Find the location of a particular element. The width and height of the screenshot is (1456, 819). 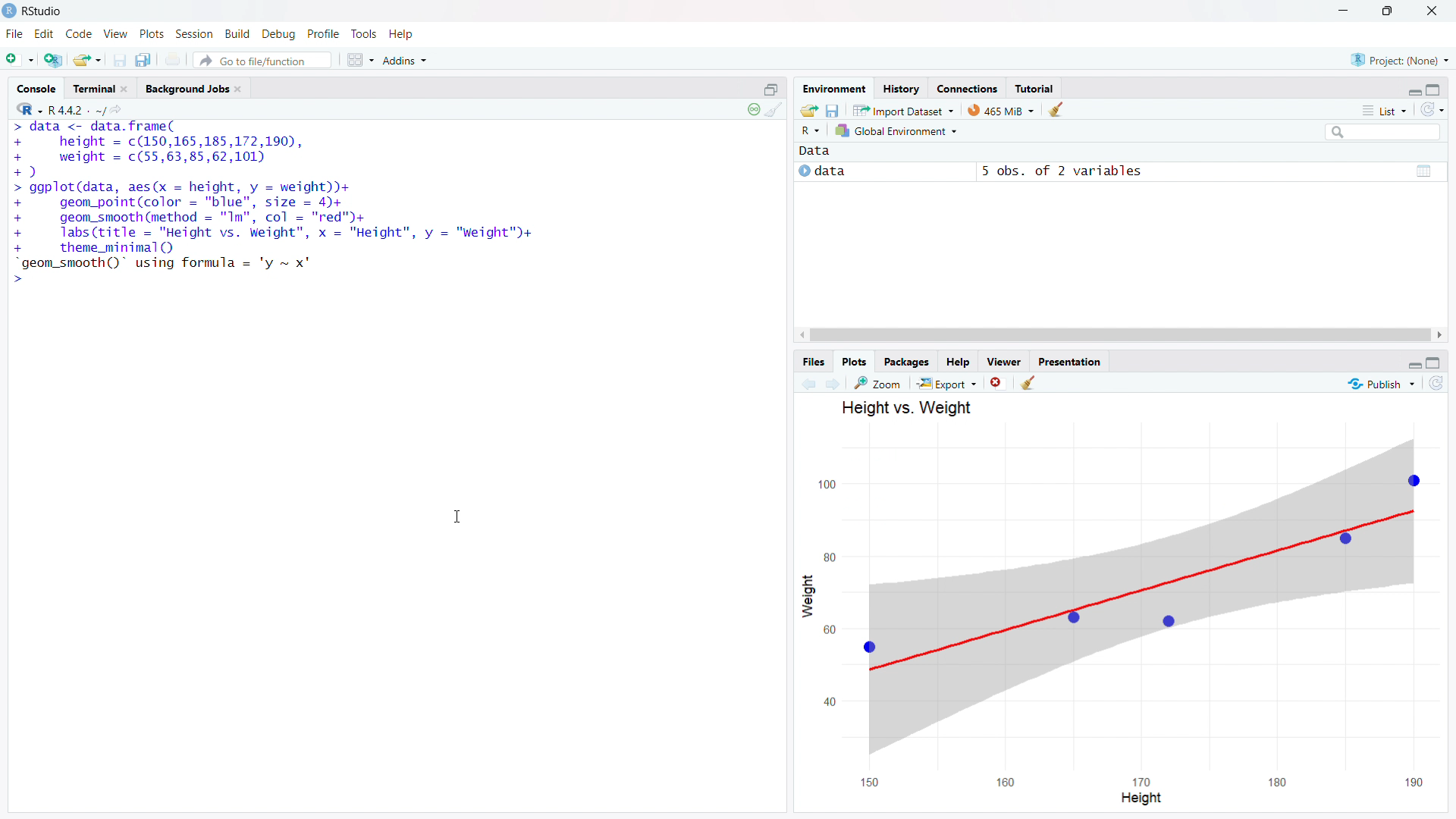

> data <- data.trame( is located at coordinates (93, 127).